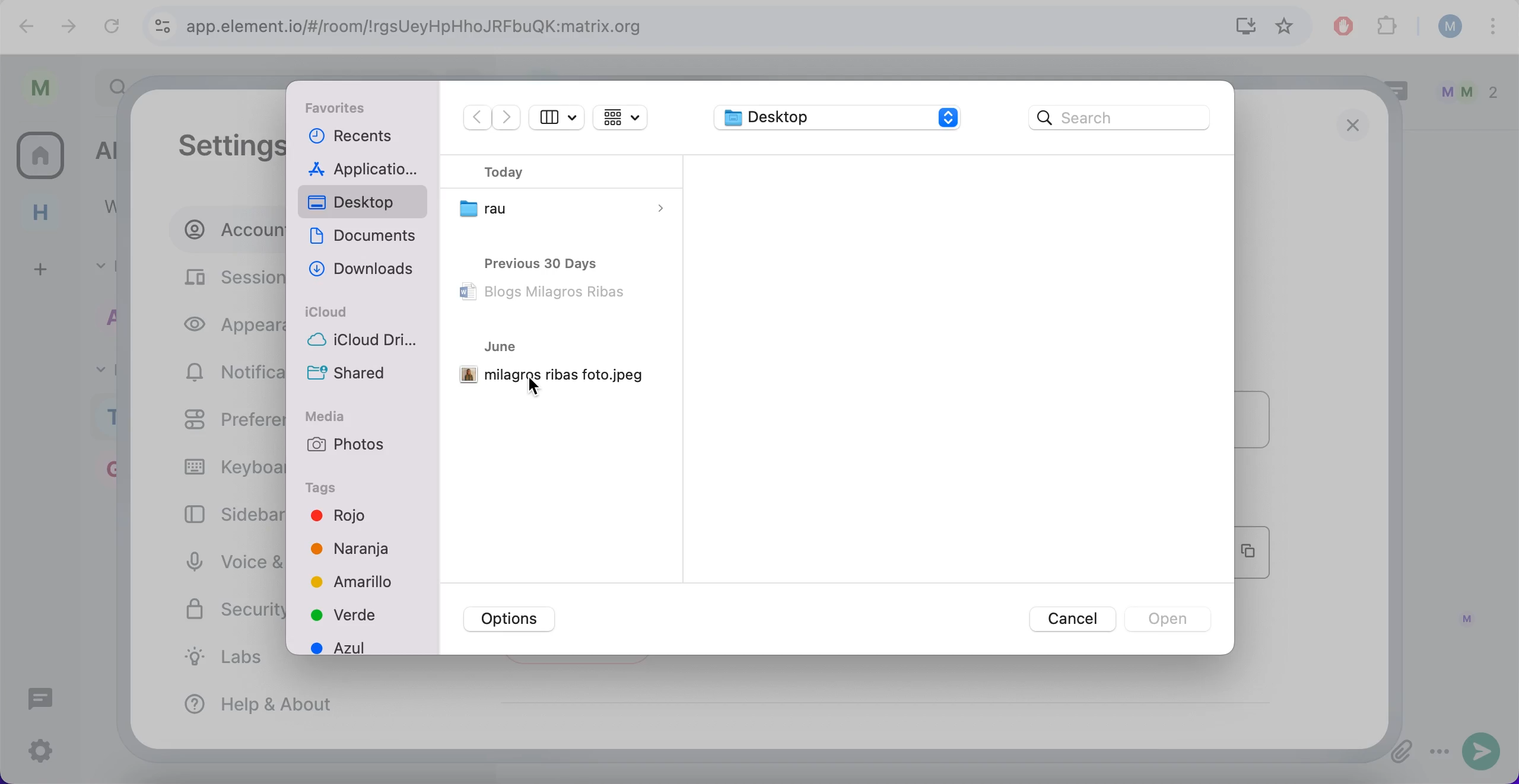 The image size is (1519, 784). I want to click on backward, so click(477, 119).